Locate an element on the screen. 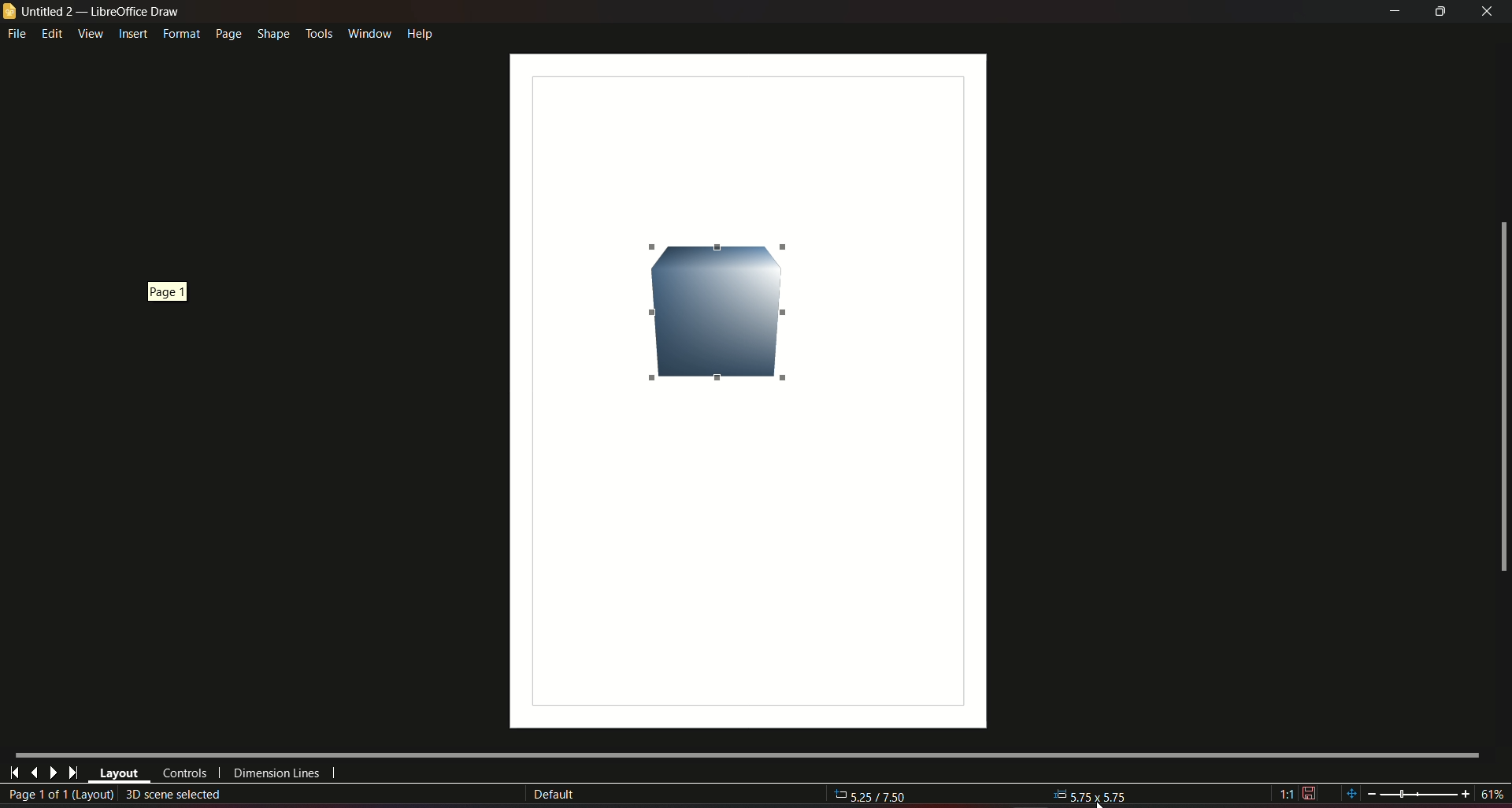 Image resolution: width=1512 pixels, height=808 pixels. page 1 is located at coordinates (162, 291).